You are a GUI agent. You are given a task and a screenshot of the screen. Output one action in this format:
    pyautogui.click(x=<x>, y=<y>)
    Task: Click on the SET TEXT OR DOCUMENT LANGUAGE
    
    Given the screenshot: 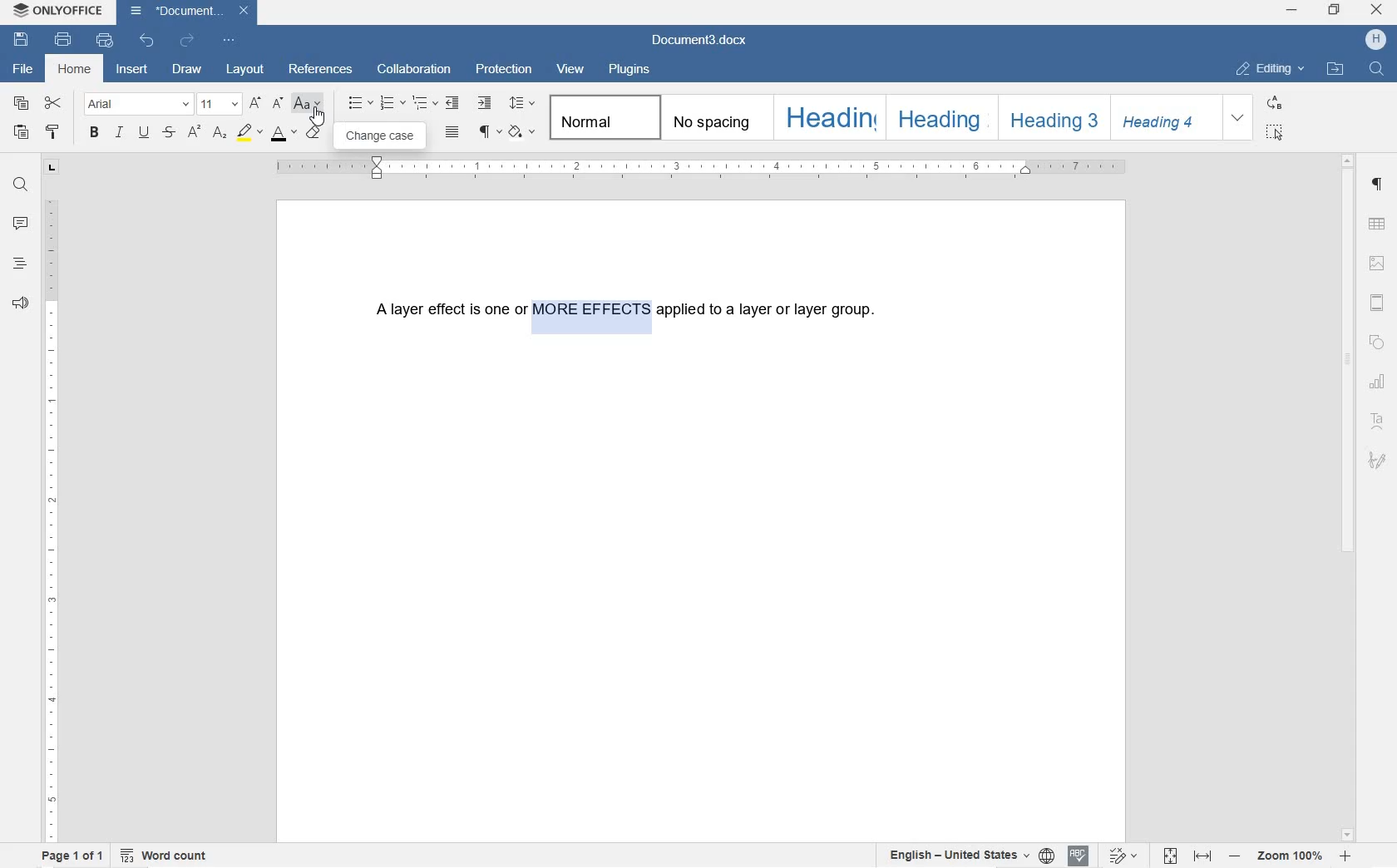 What is the action you would take?
    pyautogui.click(x=966, y=856)
    